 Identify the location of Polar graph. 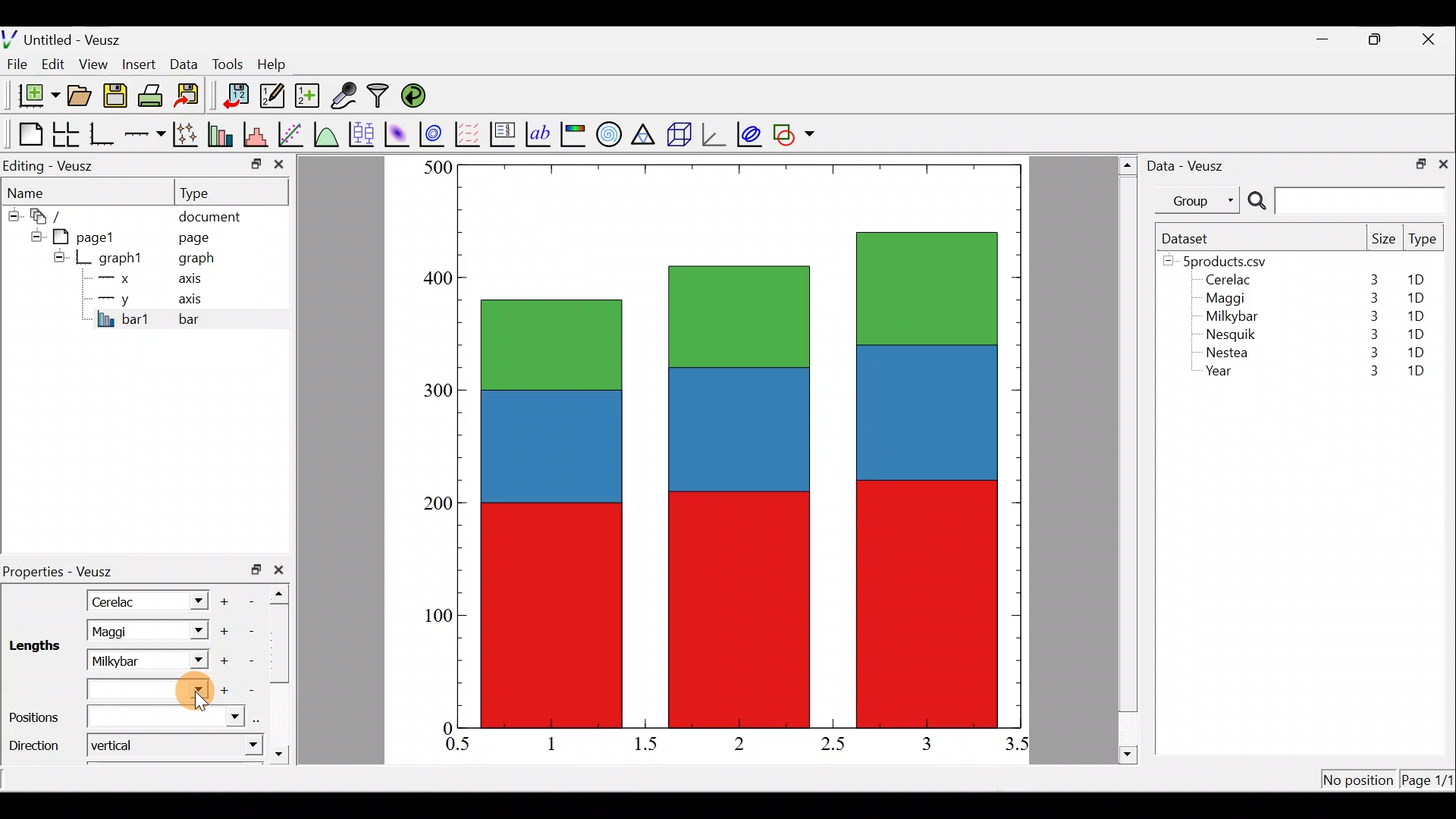
(606, 132).